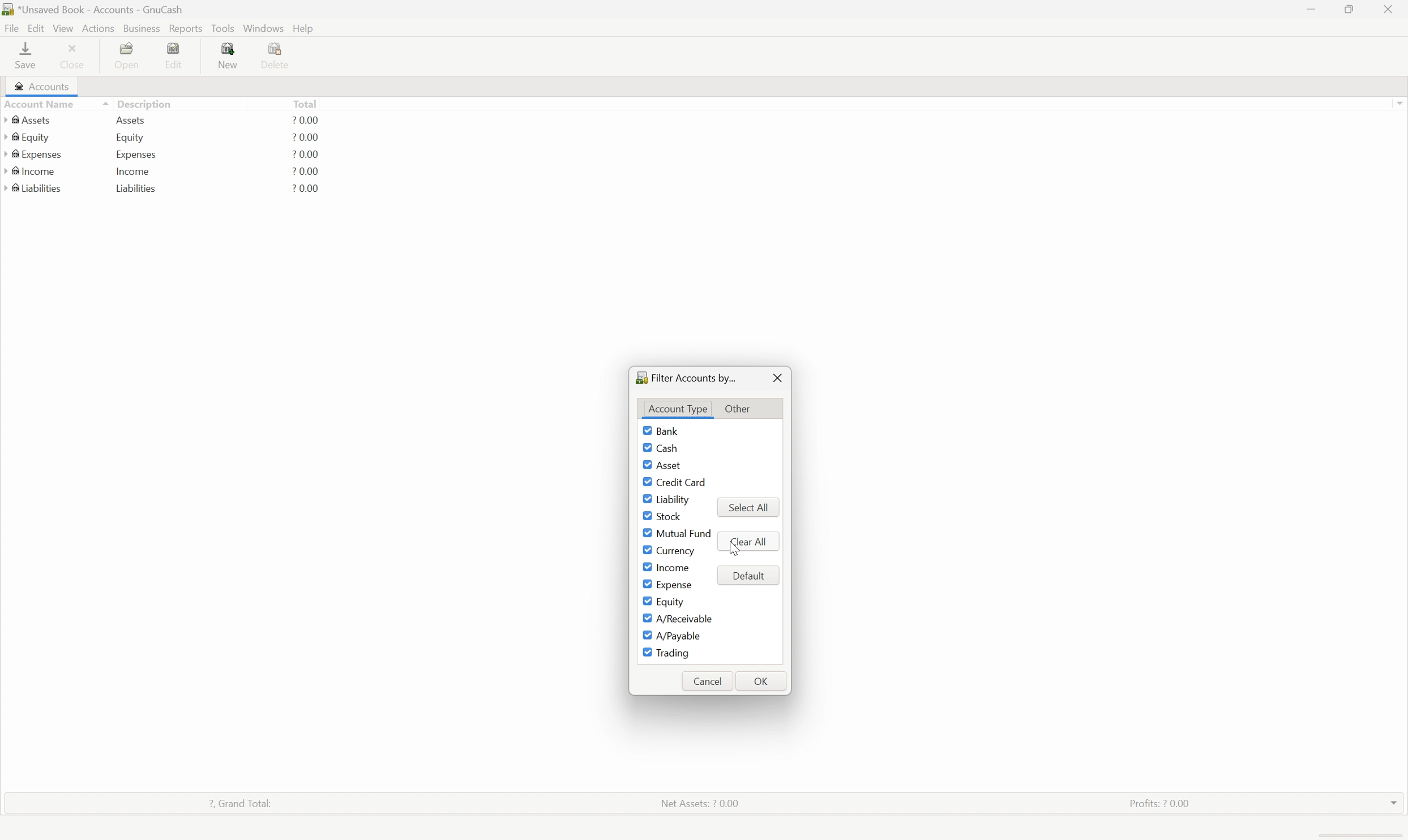  I want to click on mouse pointer, so click(737, 551).